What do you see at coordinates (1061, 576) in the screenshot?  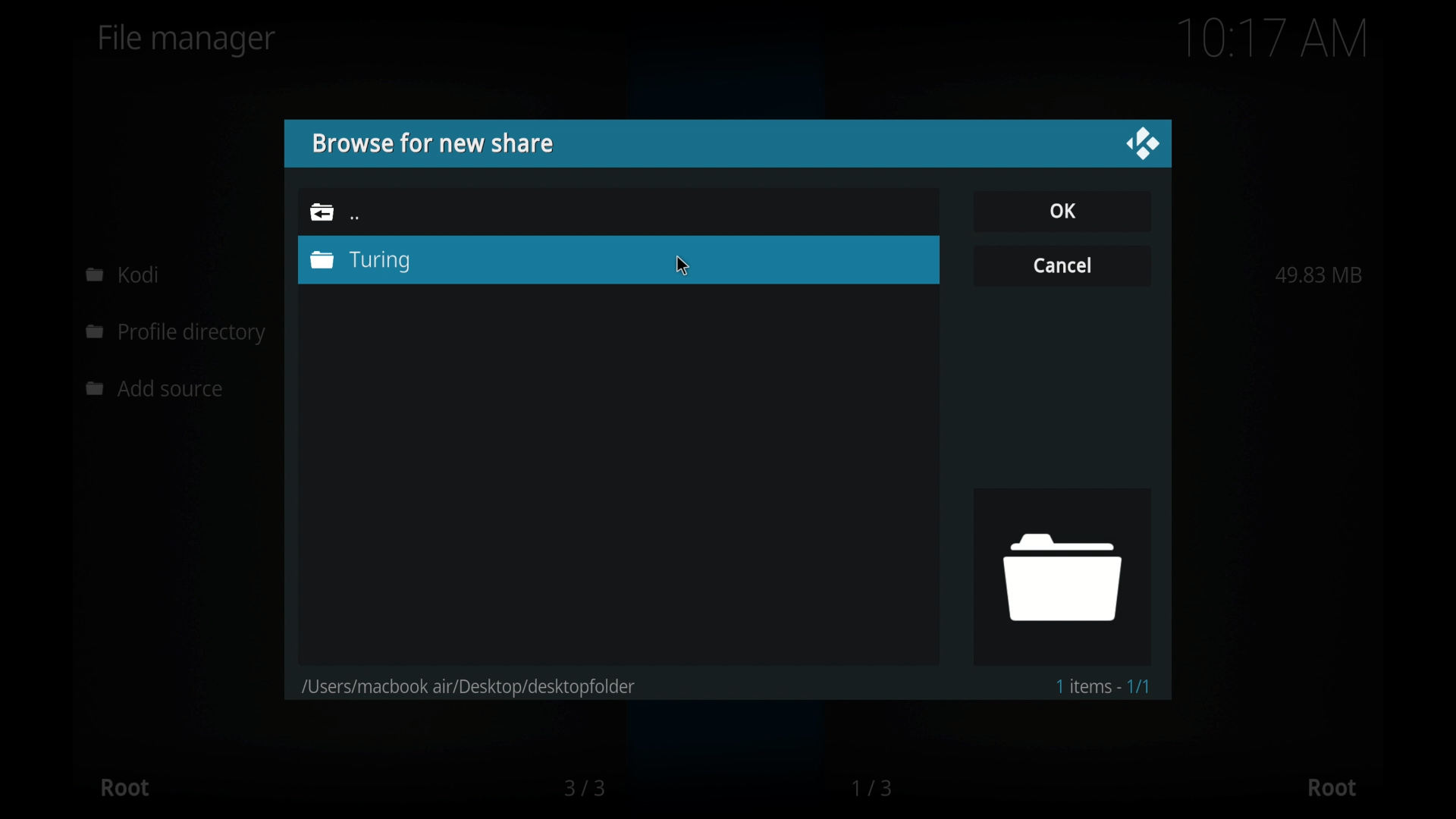 I see `folder icon` at bounding box center [1061, 576].